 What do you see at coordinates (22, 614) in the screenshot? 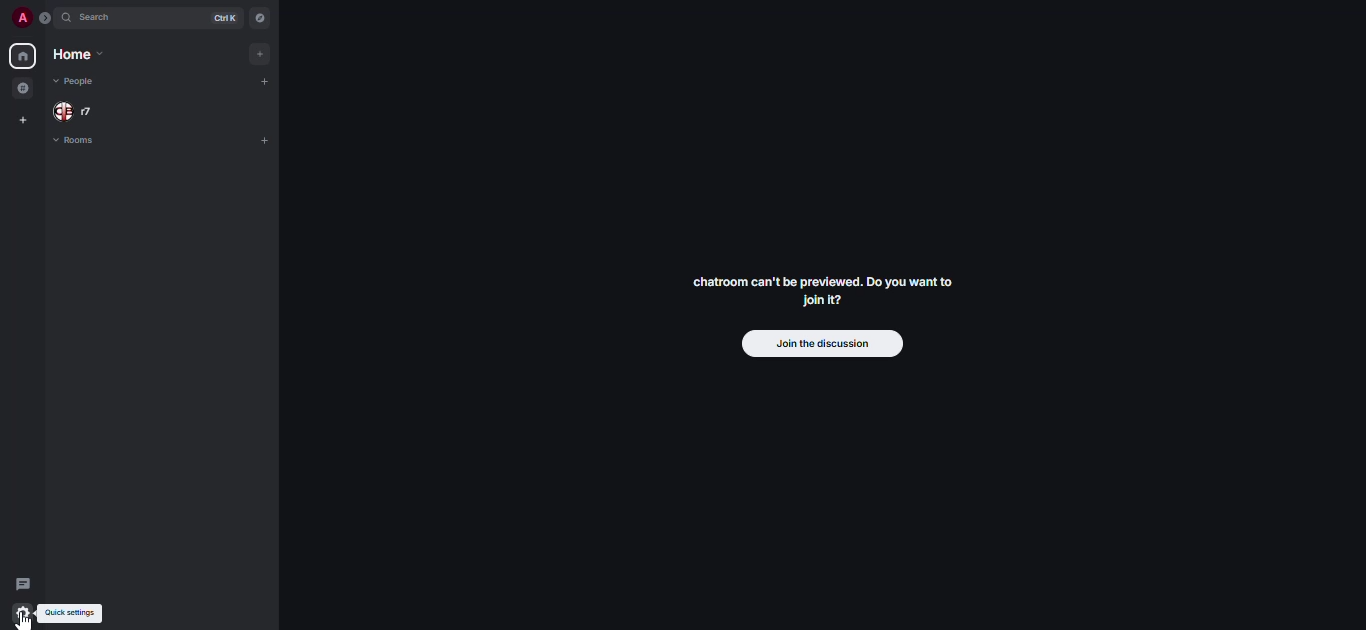
I see `quick settings` at bounding box center [22, 614].